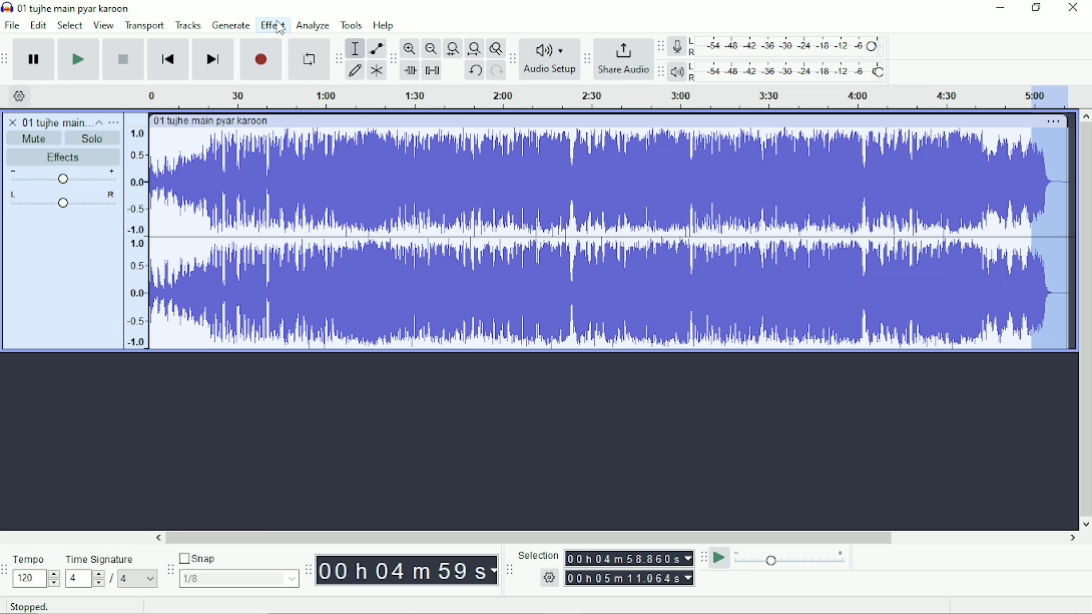 This screenshot has height=614, width=1092. Describe the element at coordinates (34, 139) in the screenshot. I see `Mute` at that location.